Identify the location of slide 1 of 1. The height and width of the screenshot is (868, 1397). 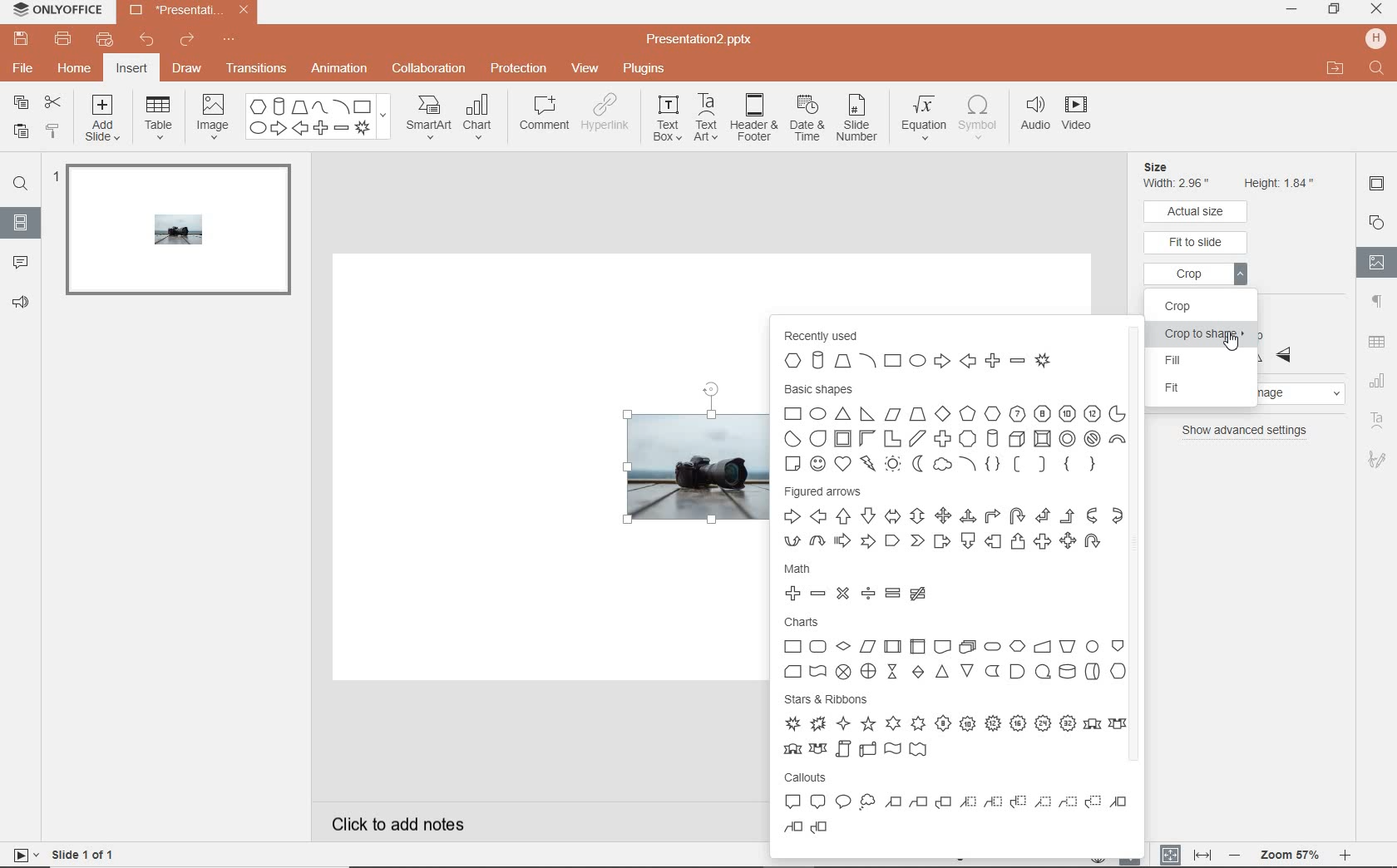
(62, 856).